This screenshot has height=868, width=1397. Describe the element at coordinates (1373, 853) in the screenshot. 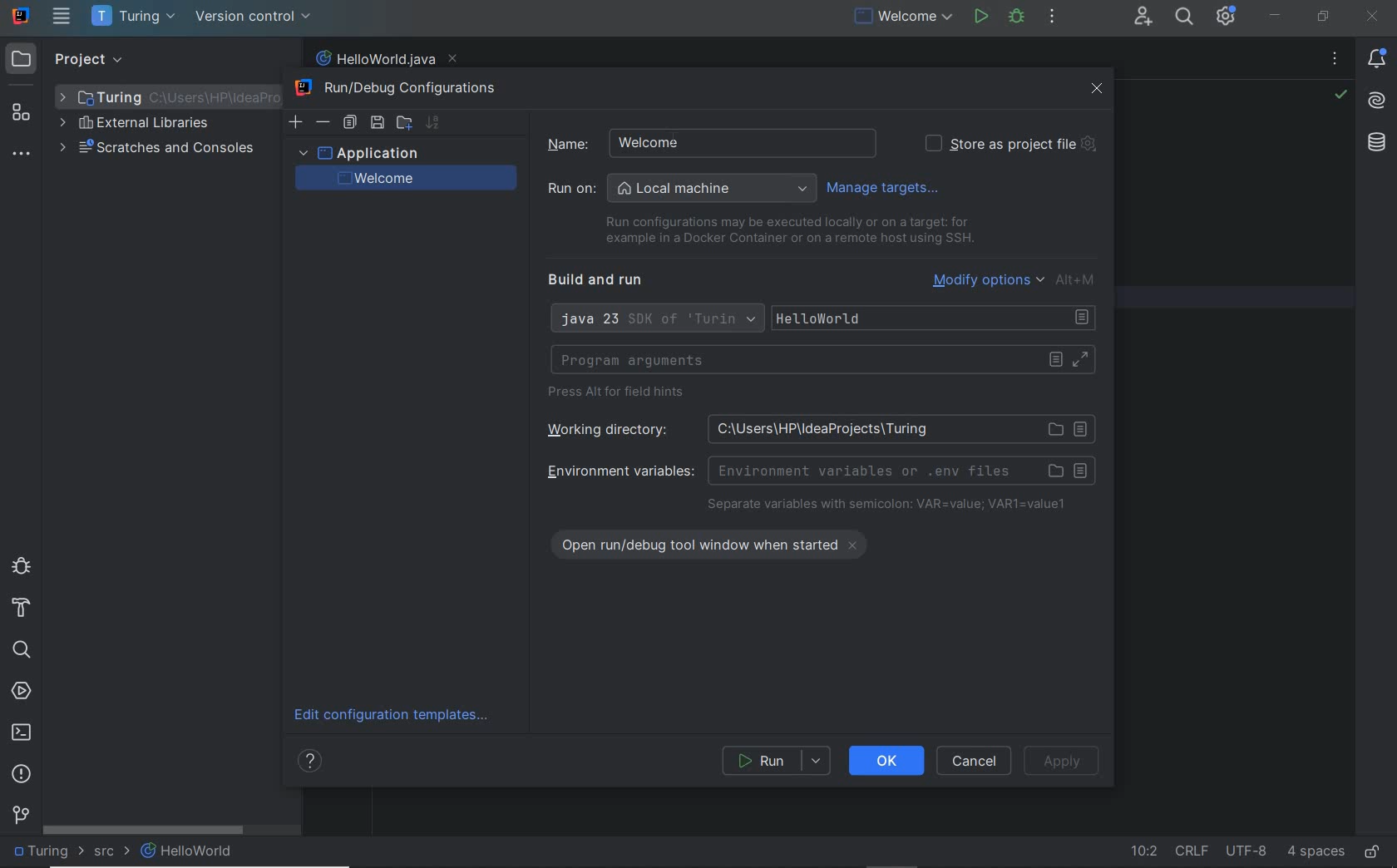

I see `make file ready only` at that location.